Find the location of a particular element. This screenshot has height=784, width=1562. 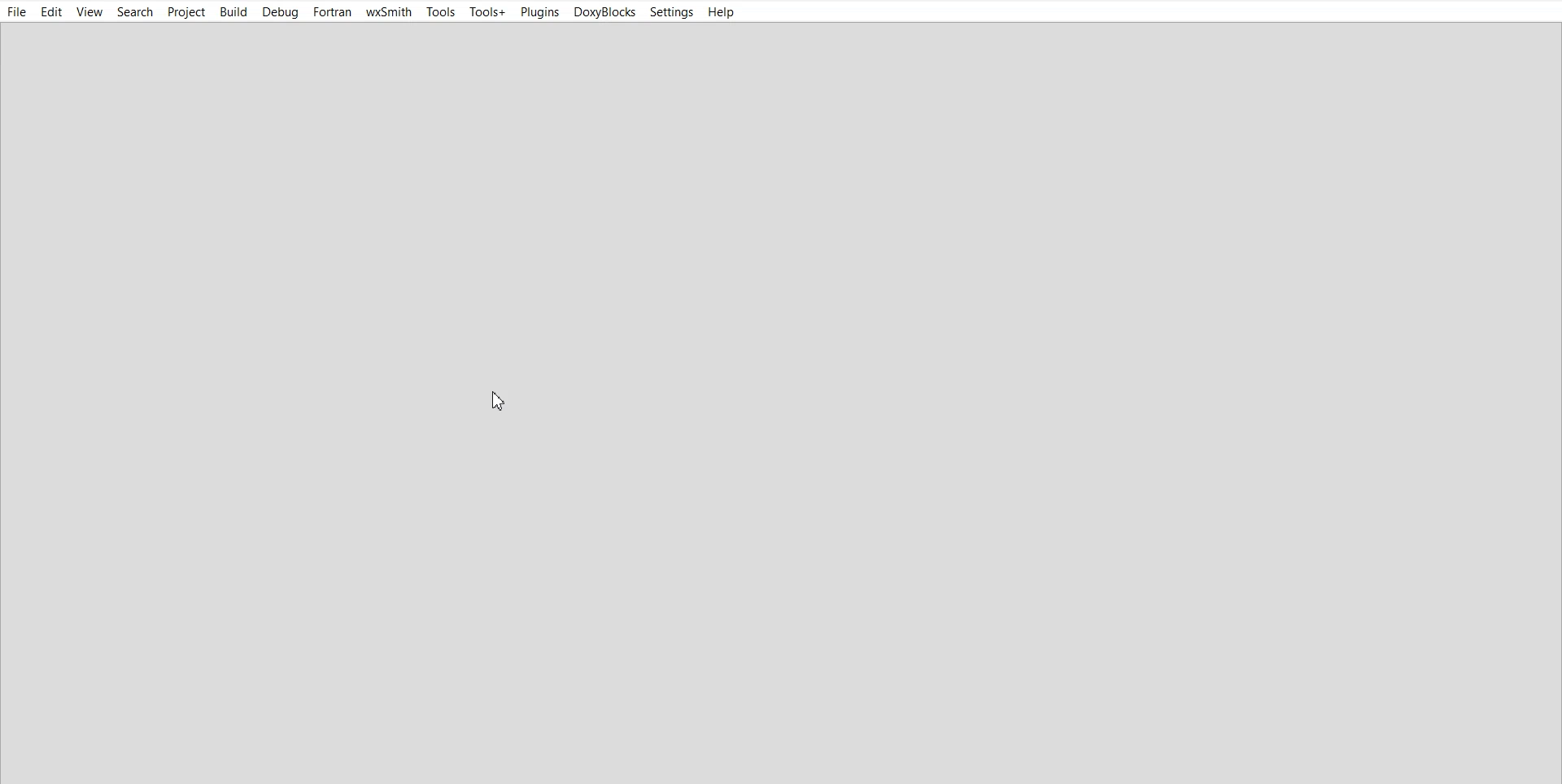

Tools+ is located at coordinates (487, 12).